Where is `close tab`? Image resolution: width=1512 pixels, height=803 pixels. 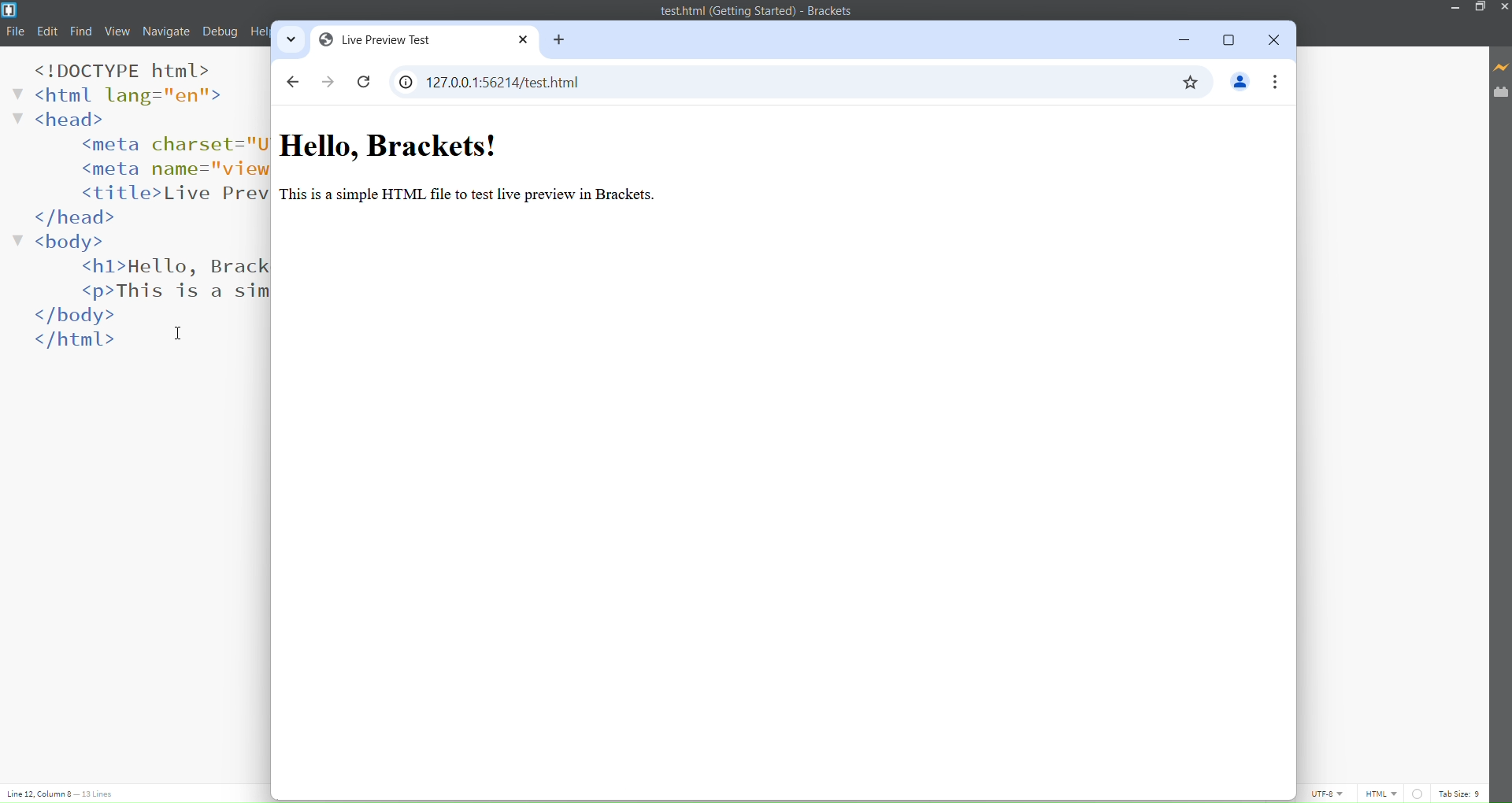 close tab is located at coordinates (521, 39).